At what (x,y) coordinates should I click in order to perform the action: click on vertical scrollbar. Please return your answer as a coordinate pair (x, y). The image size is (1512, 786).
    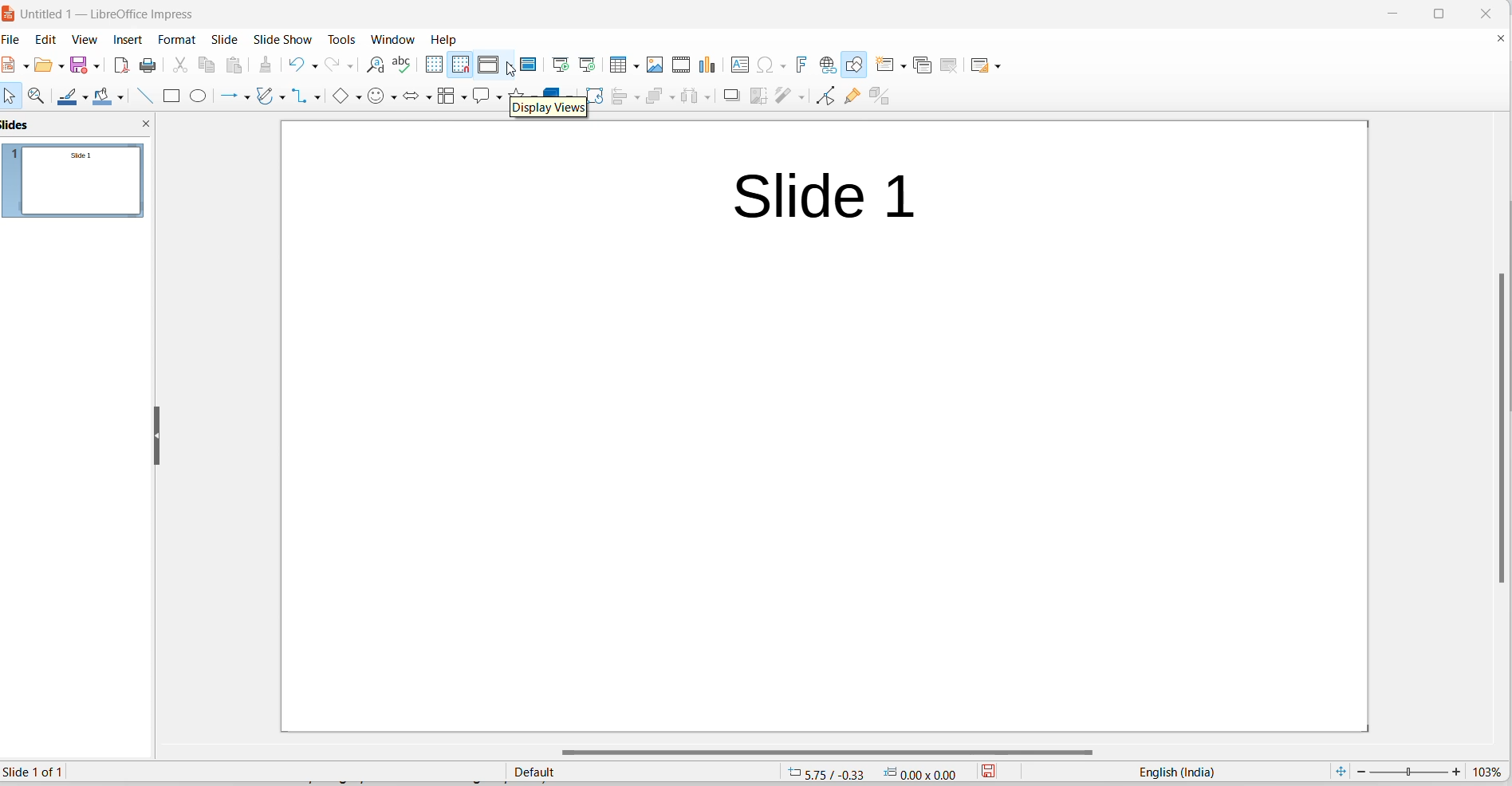
    Looking at the image, I should click on (1498, 427).